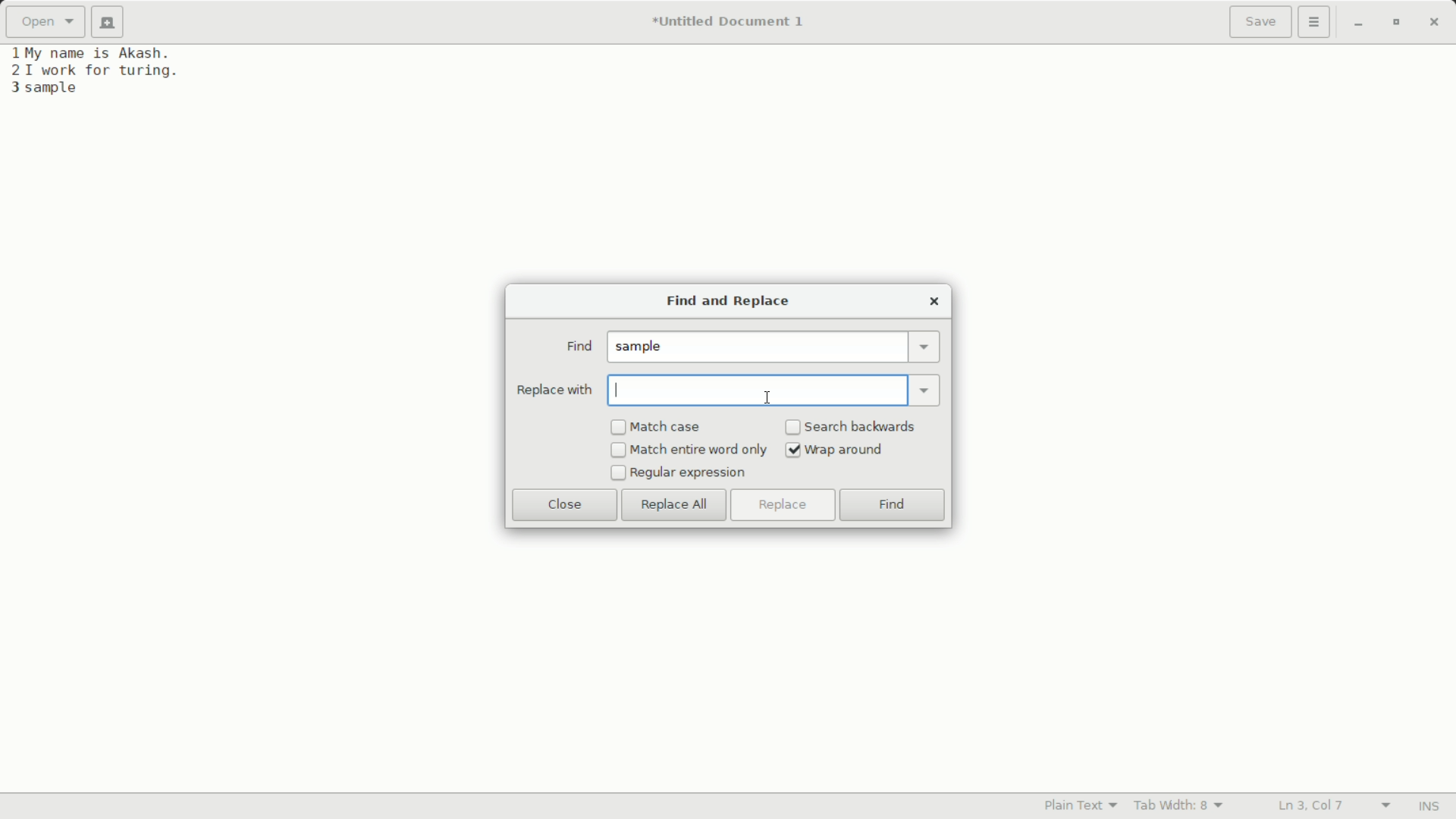  Describe the element at coordinates (93, 52) in the screenshot. I see `1My name is Akash.` at that location.